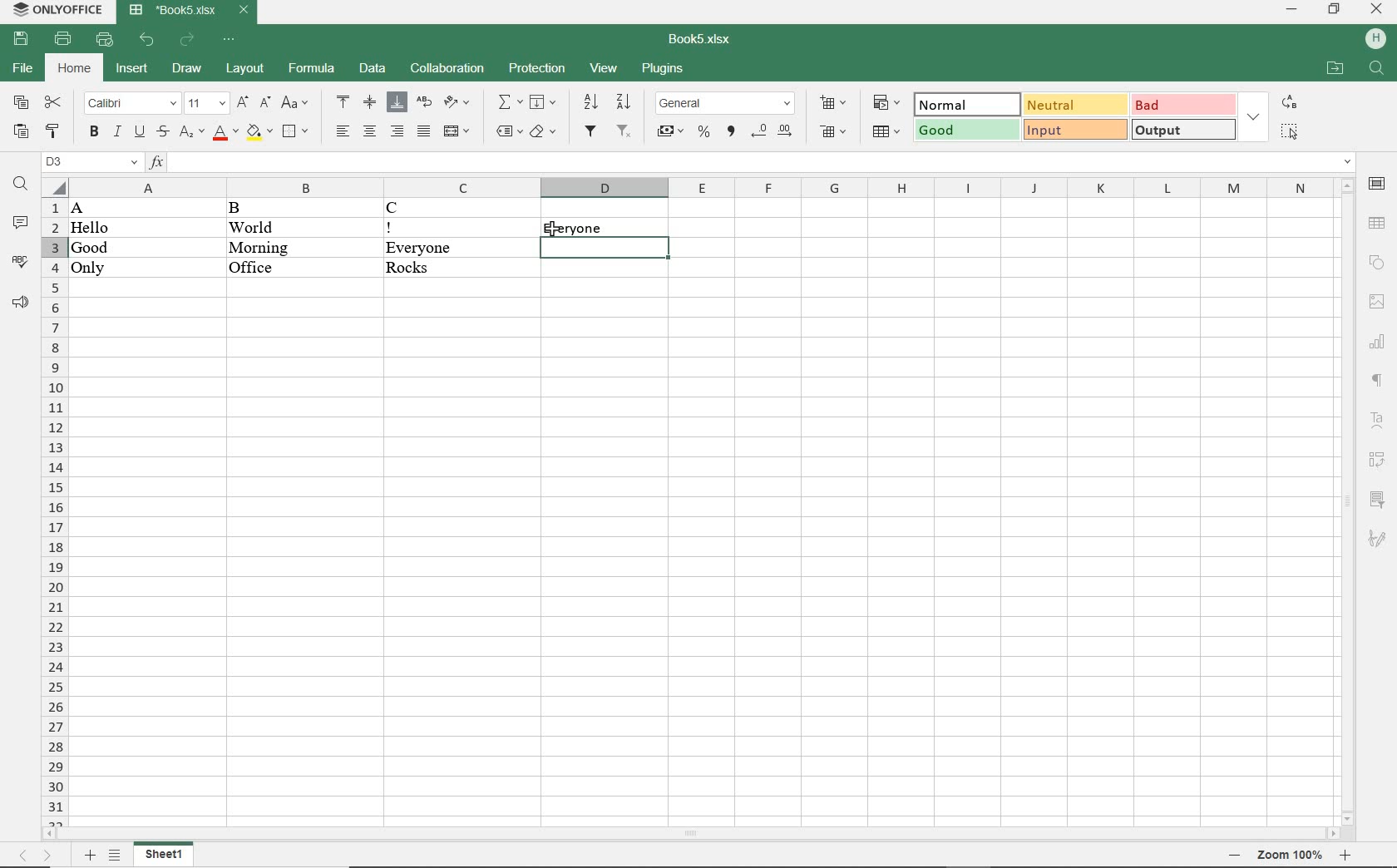 Image resolution: width=1397 pixels, height=868 pixels. What do you see at coordinates (1346, 185) in the screenshot?
I see `move up` at bounding box center [1346, 185].